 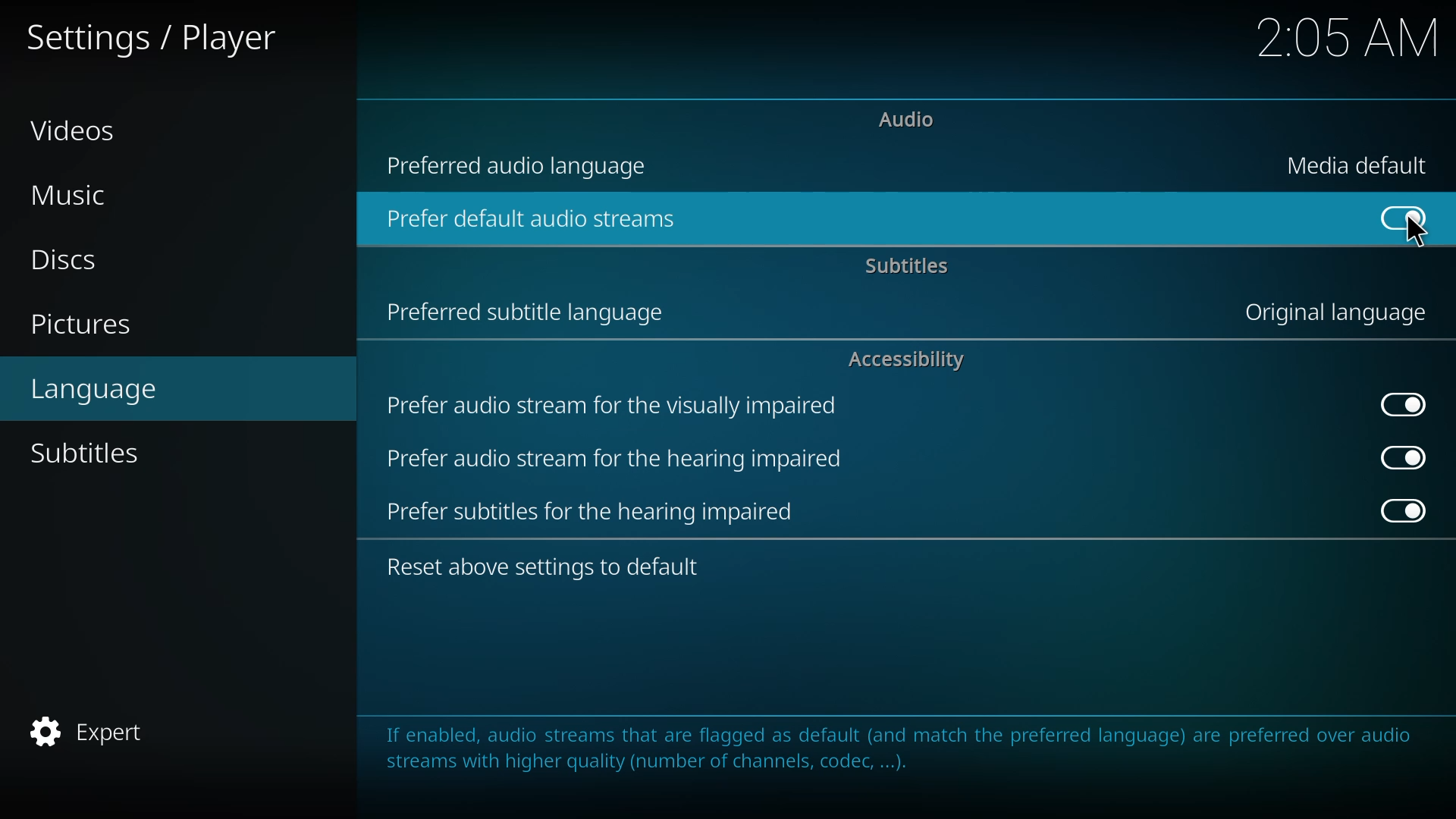 What do you see at coordinates (1333, 314) in the screenshot?
I see `original language` at bounding box center [1333, 314].